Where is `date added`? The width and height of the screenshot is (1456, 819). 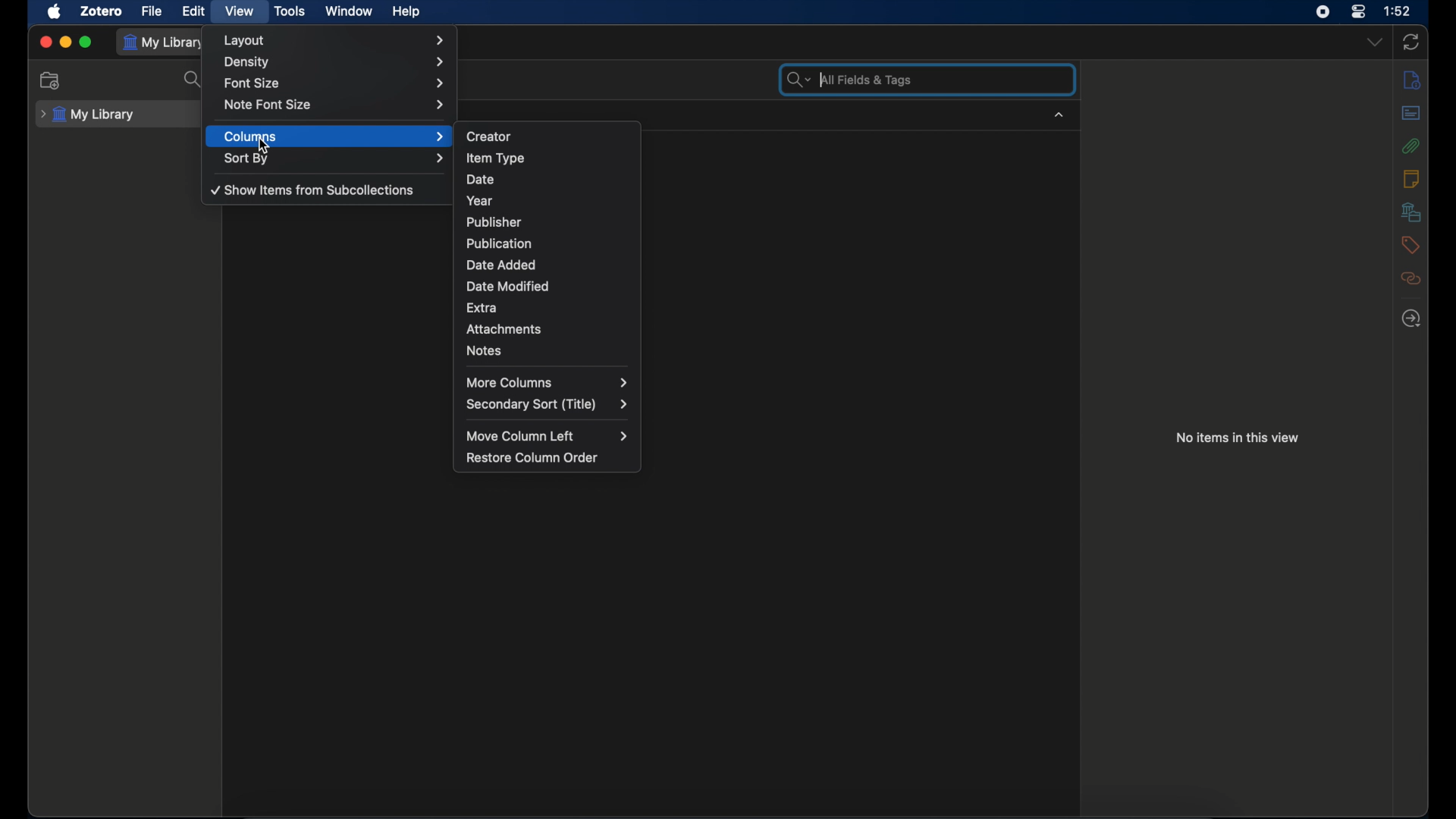
date added is located at coordinates (502, 265).